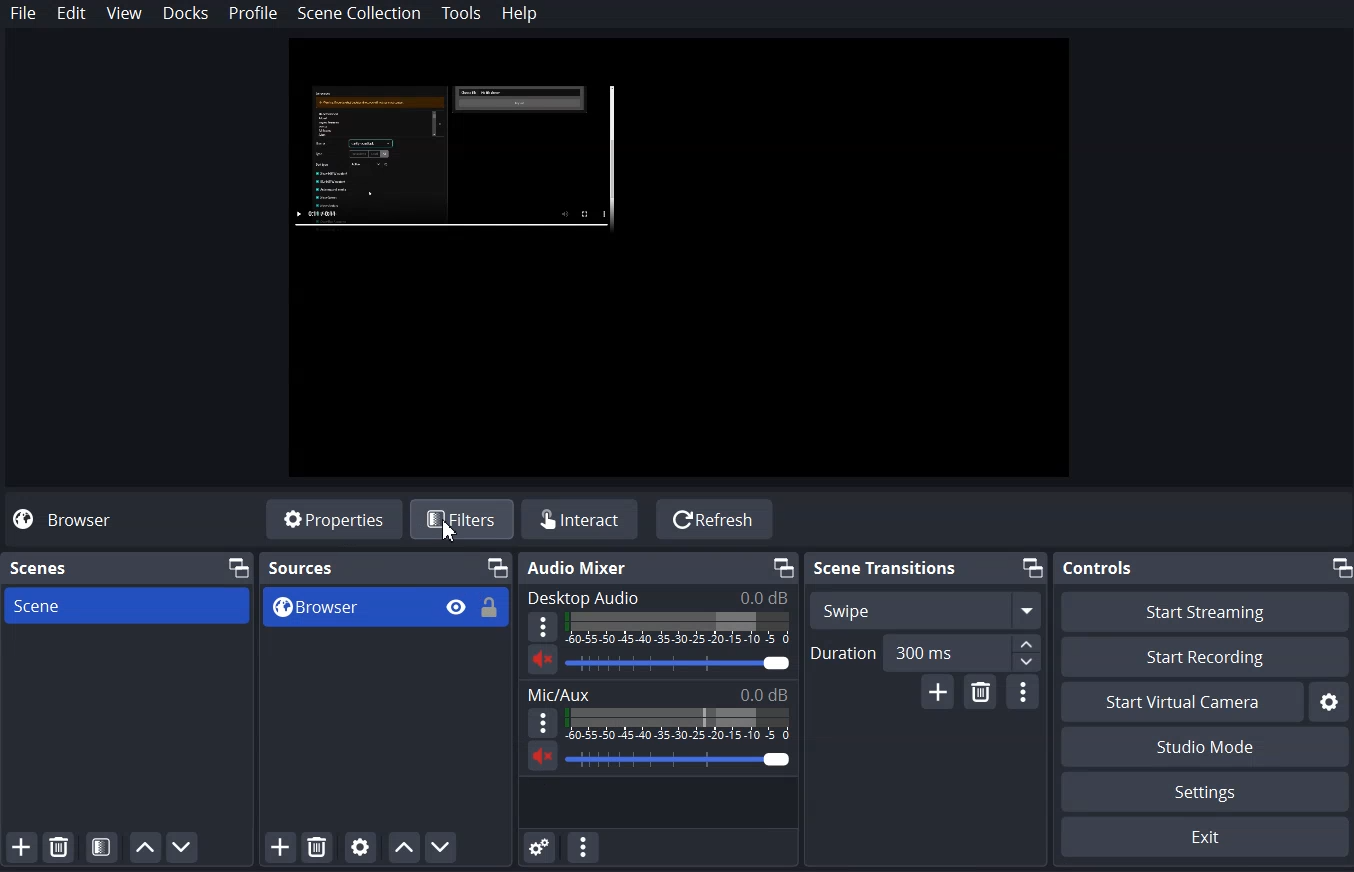  What do you see at coordinates (40, 568) in the screenshot?
I see `Scene` at bounding box center [40, 568].